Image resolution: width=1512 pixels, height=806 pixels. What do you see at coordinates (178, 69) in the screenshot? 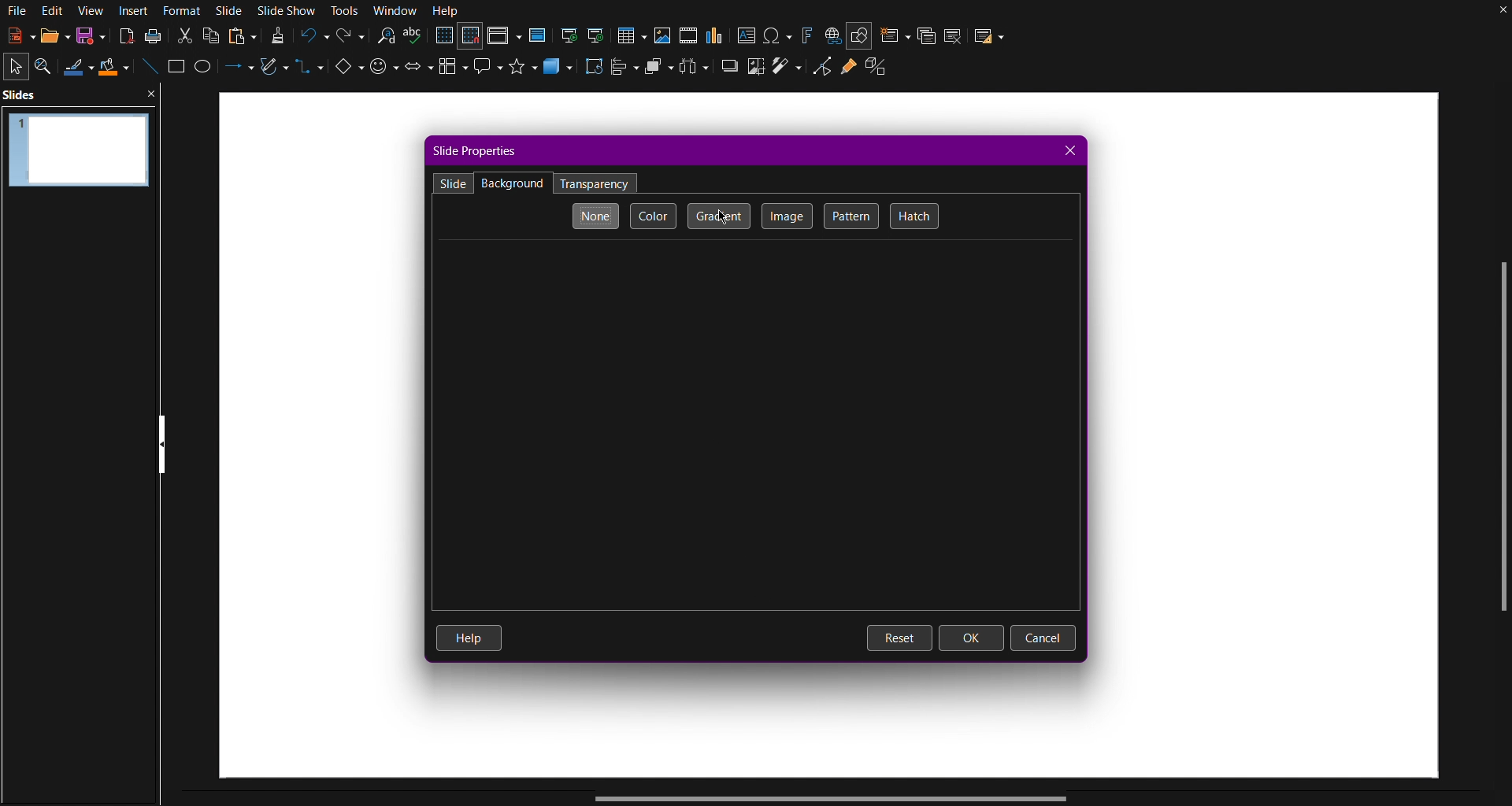
I see `Square` at bounding box center [178, 69].